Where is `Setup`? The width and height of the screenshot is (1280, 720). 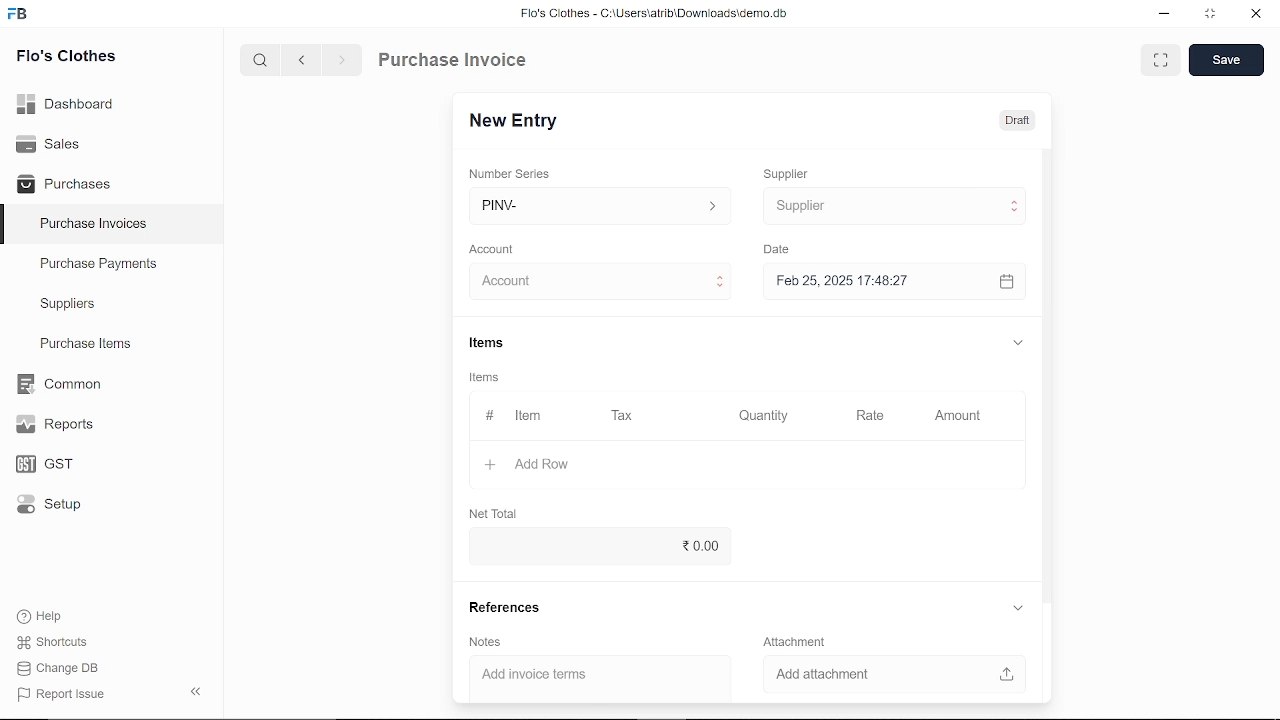 Setup is located at coordinates (44, 508).